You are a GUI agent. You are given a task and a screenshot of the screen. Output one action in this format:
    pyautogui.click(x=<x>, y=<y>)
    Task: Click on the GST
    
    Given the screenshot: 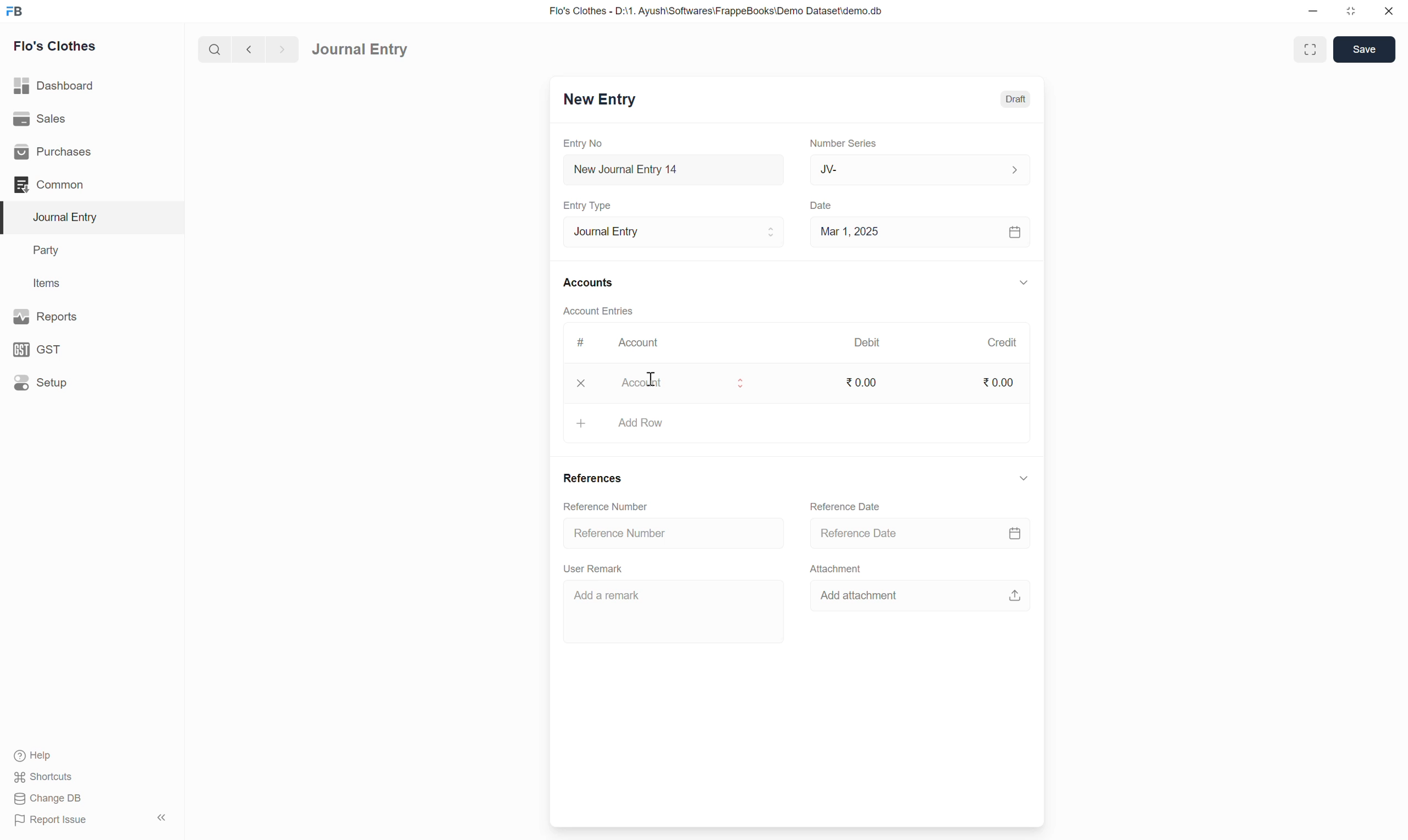 What is the action you would take?
    pyautogui.click(x=39, y=350)
    